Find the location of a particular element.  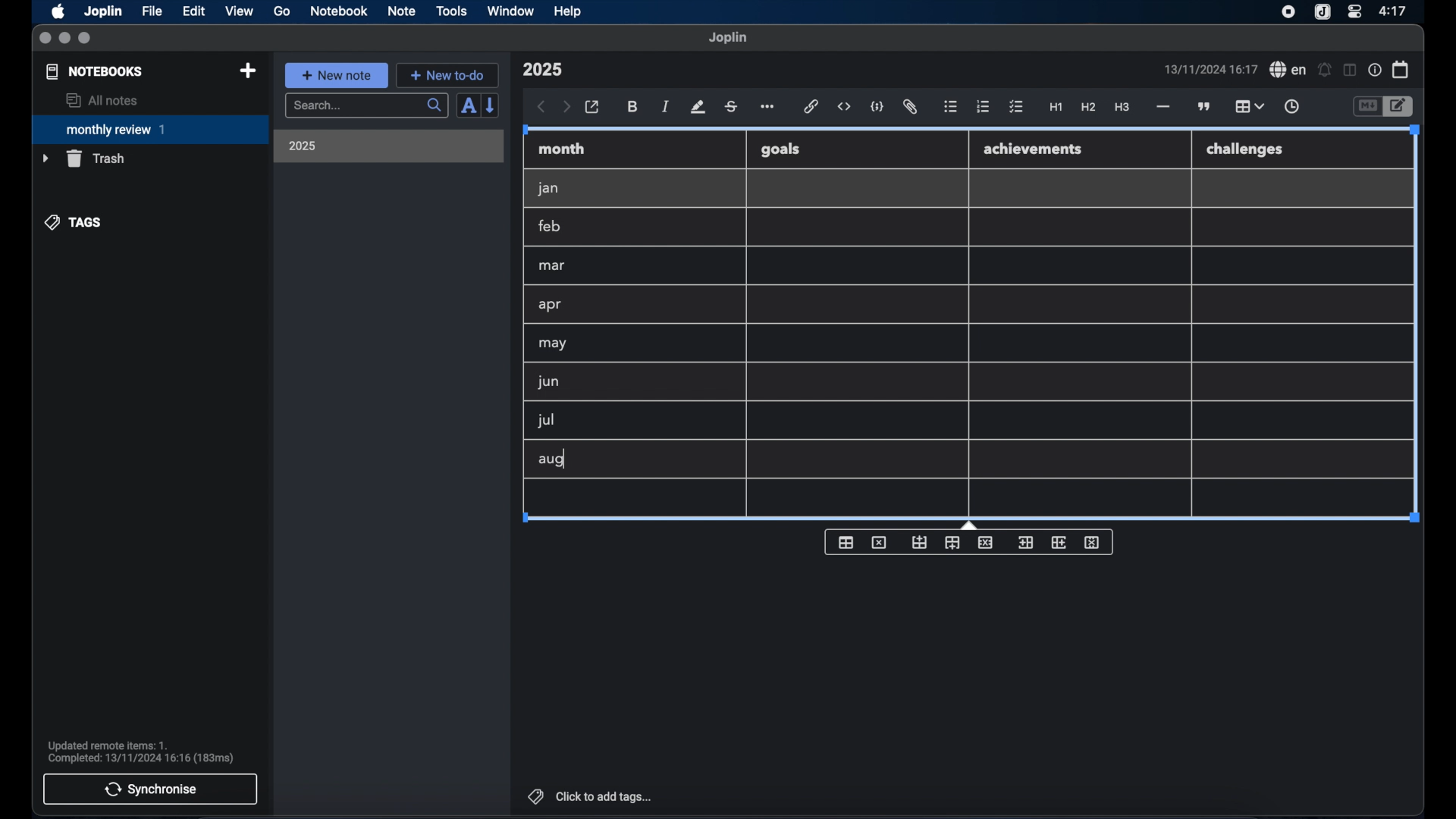

go is located at coordinates (282, 11).